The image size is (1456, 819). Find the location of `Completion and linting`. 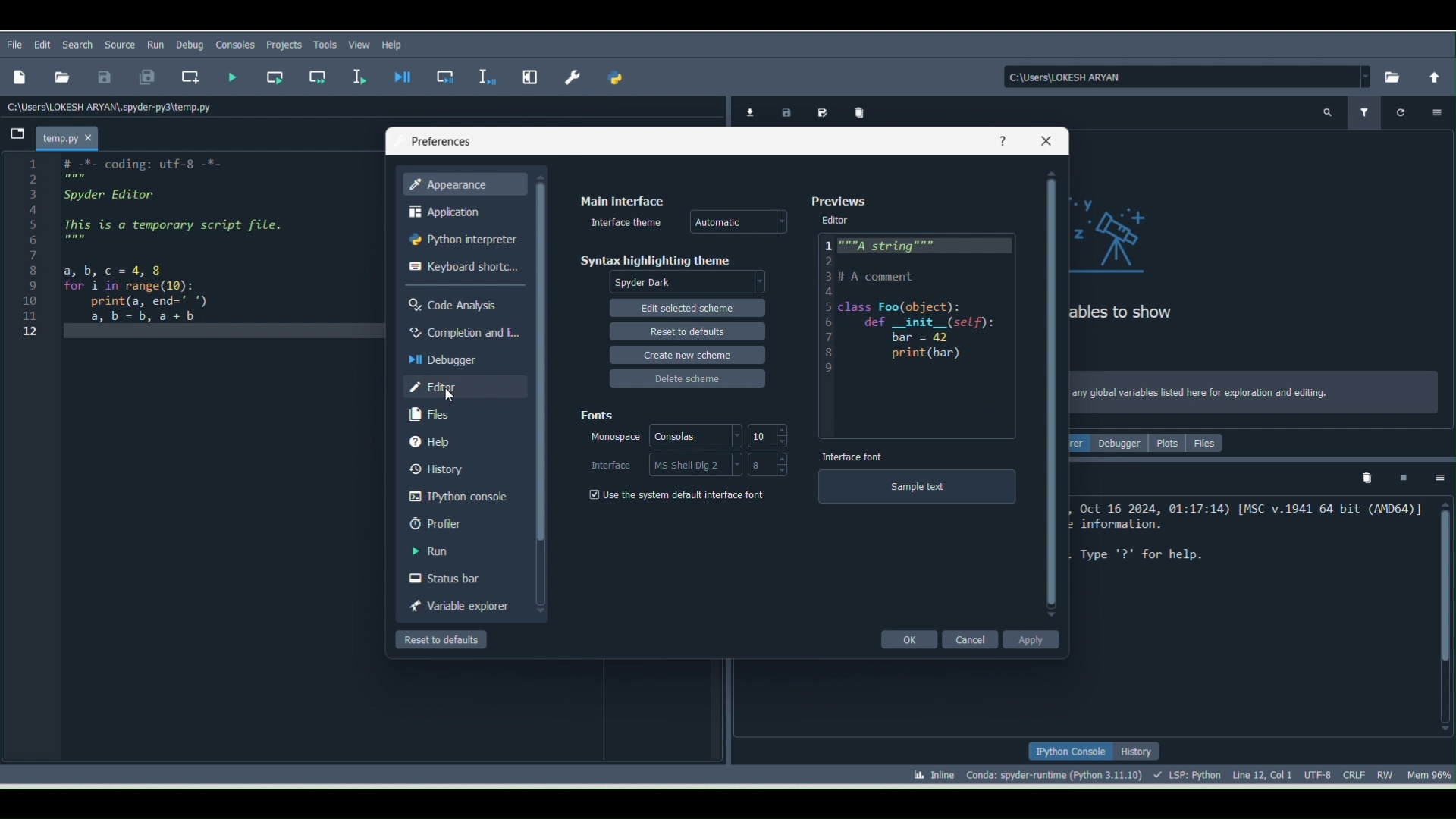

Completion and linting is located at coordinates (458, 331).